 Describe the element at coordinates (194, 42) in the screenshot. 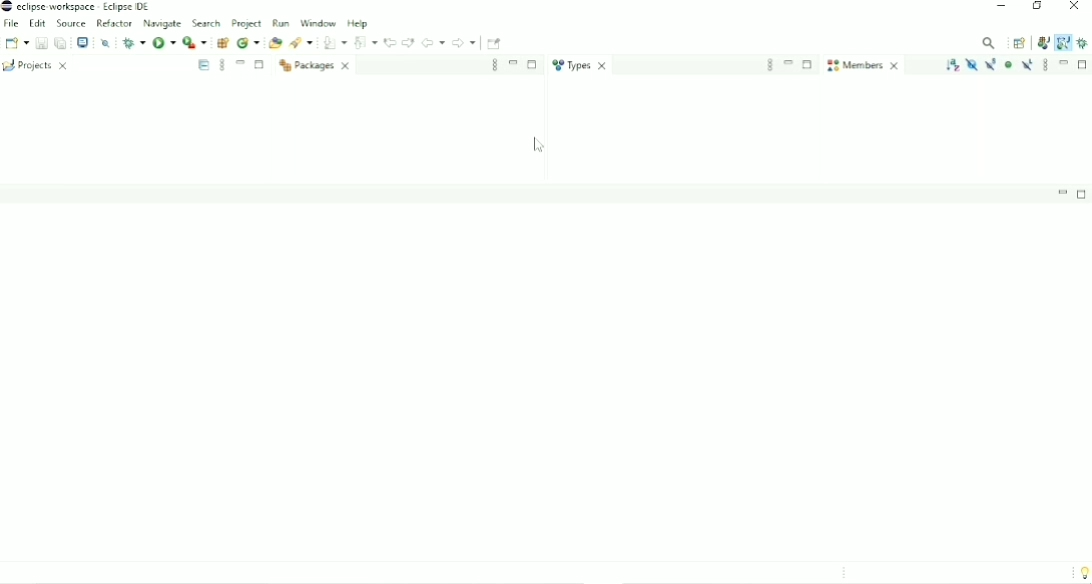

I see `Run` at that location.